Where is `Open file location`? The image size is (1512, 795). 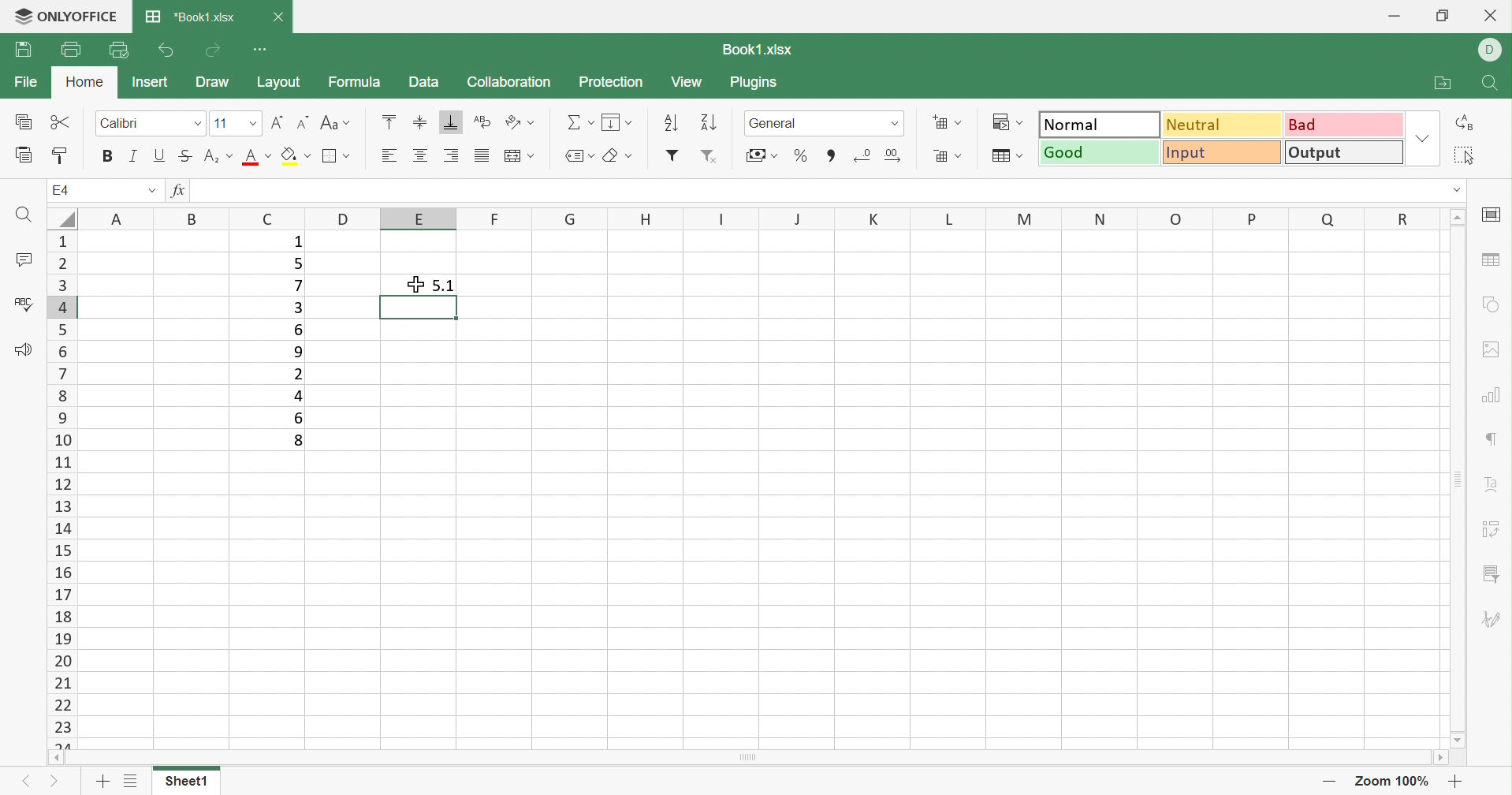
Open file location is located at coordinates (1447, 84).